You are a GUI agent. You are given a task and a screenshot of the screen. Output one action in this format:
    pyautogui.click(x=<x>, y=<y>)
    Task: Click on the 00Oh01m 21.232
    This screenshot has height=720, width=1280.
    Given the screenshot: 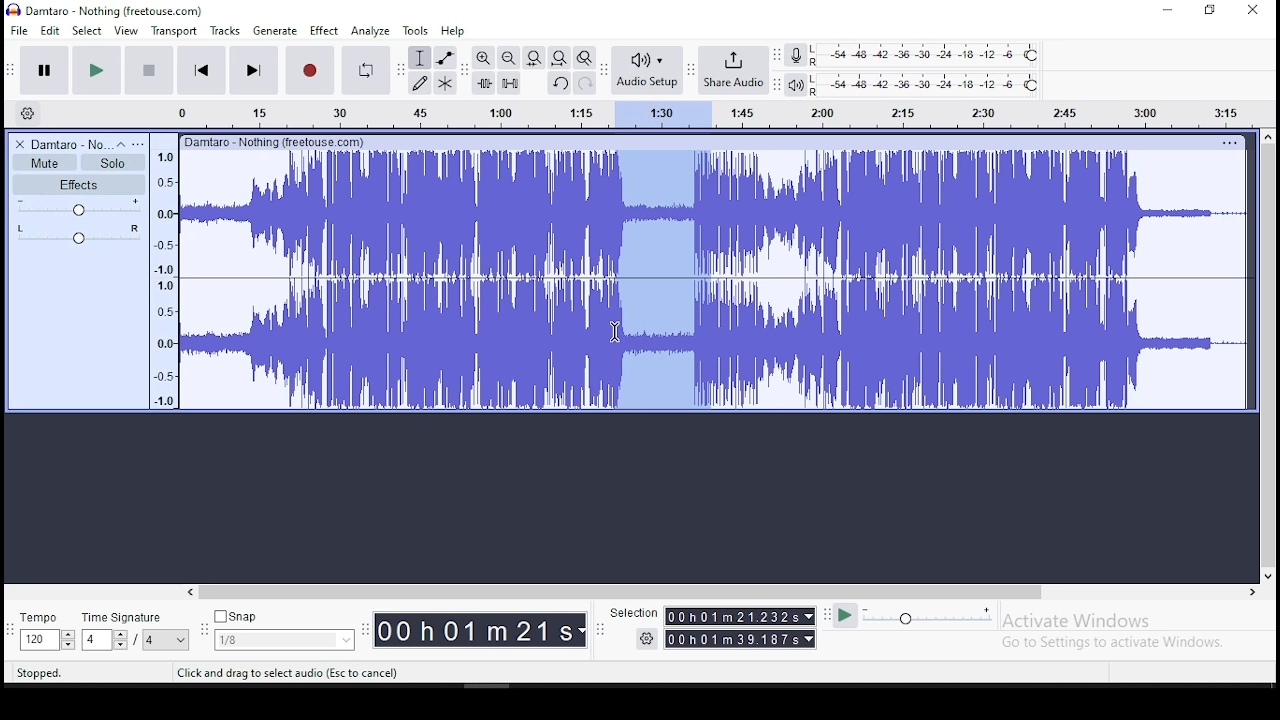 What is the action you would take?
    pyautogui.click(x=731, y=616)
    